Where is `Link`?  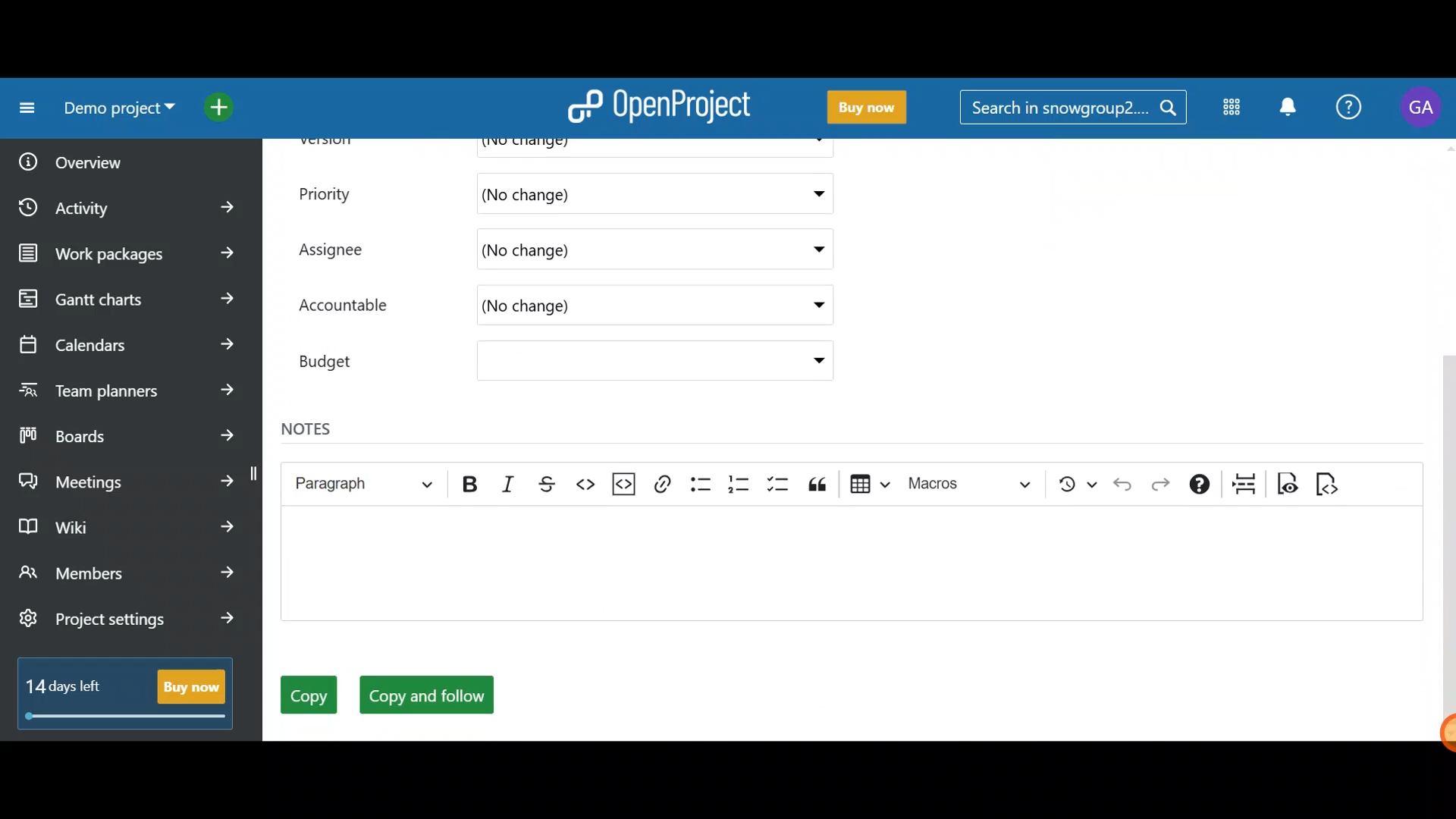 Link is located at coordinates (660, 480).